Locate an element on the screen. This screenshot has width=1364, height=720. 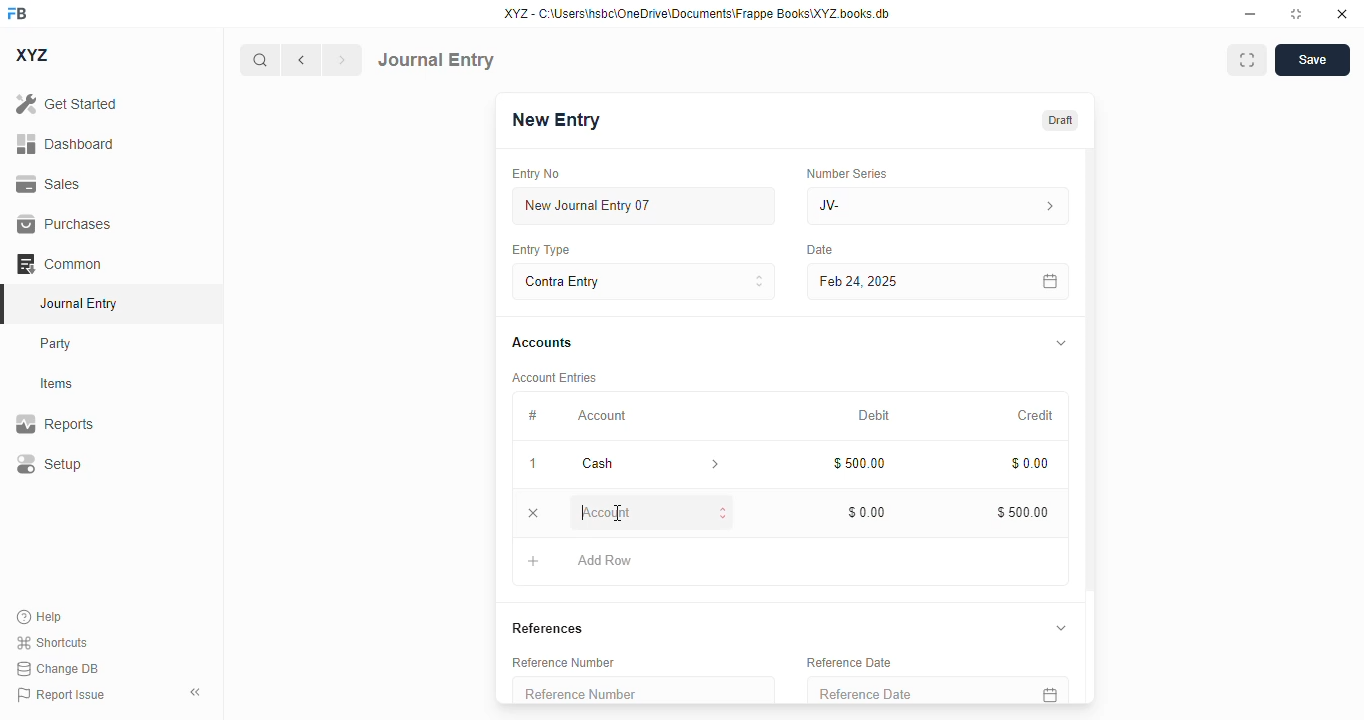
account is located at coordinates (602, 416).